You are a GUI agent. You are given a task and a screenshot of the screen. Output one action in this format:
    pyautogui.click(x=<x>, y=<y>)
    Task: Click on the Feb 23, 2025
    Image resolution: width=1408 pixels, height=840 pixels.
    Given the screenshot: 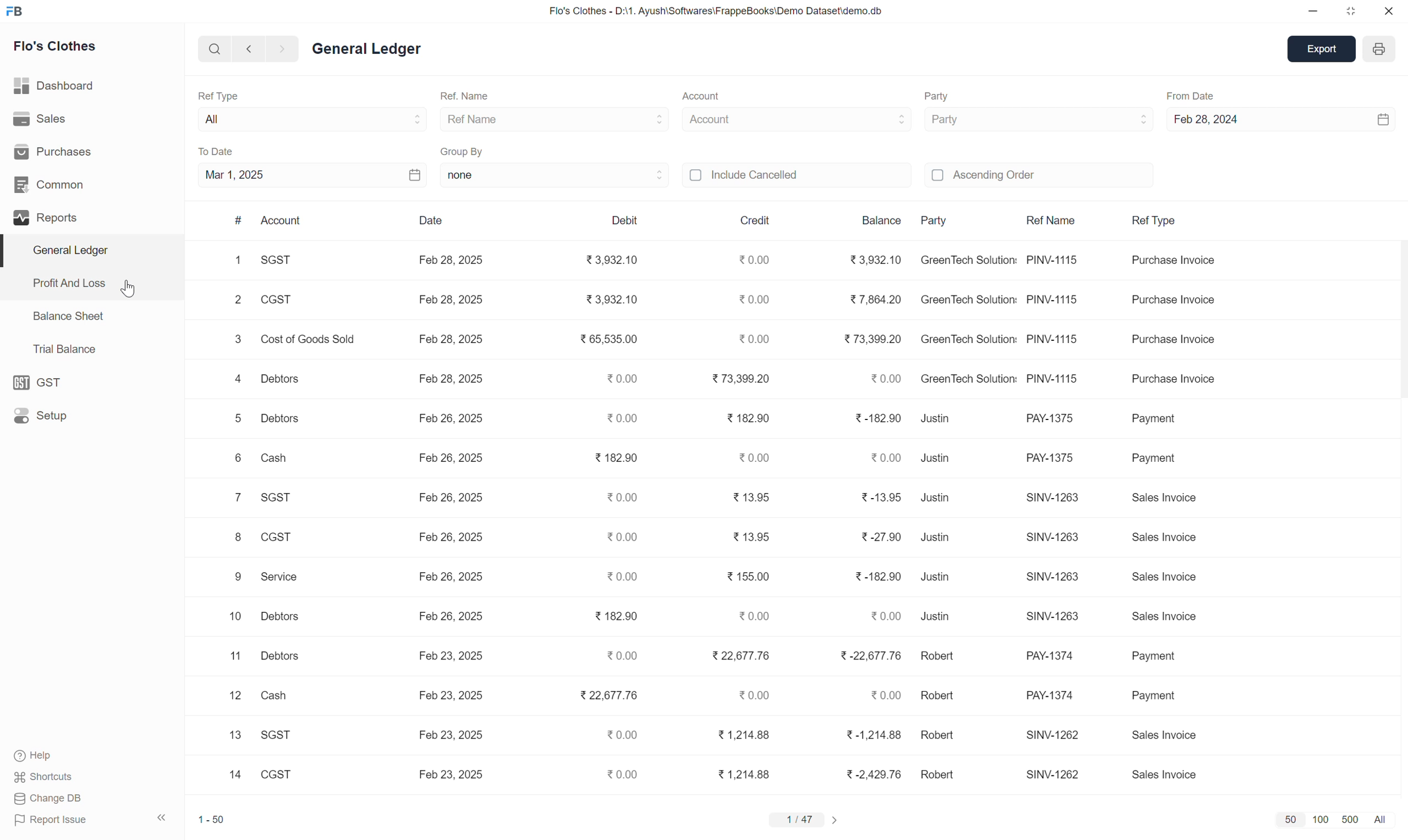 What is the action you would take?
    pyautogui.click(x=450, y=656)
    